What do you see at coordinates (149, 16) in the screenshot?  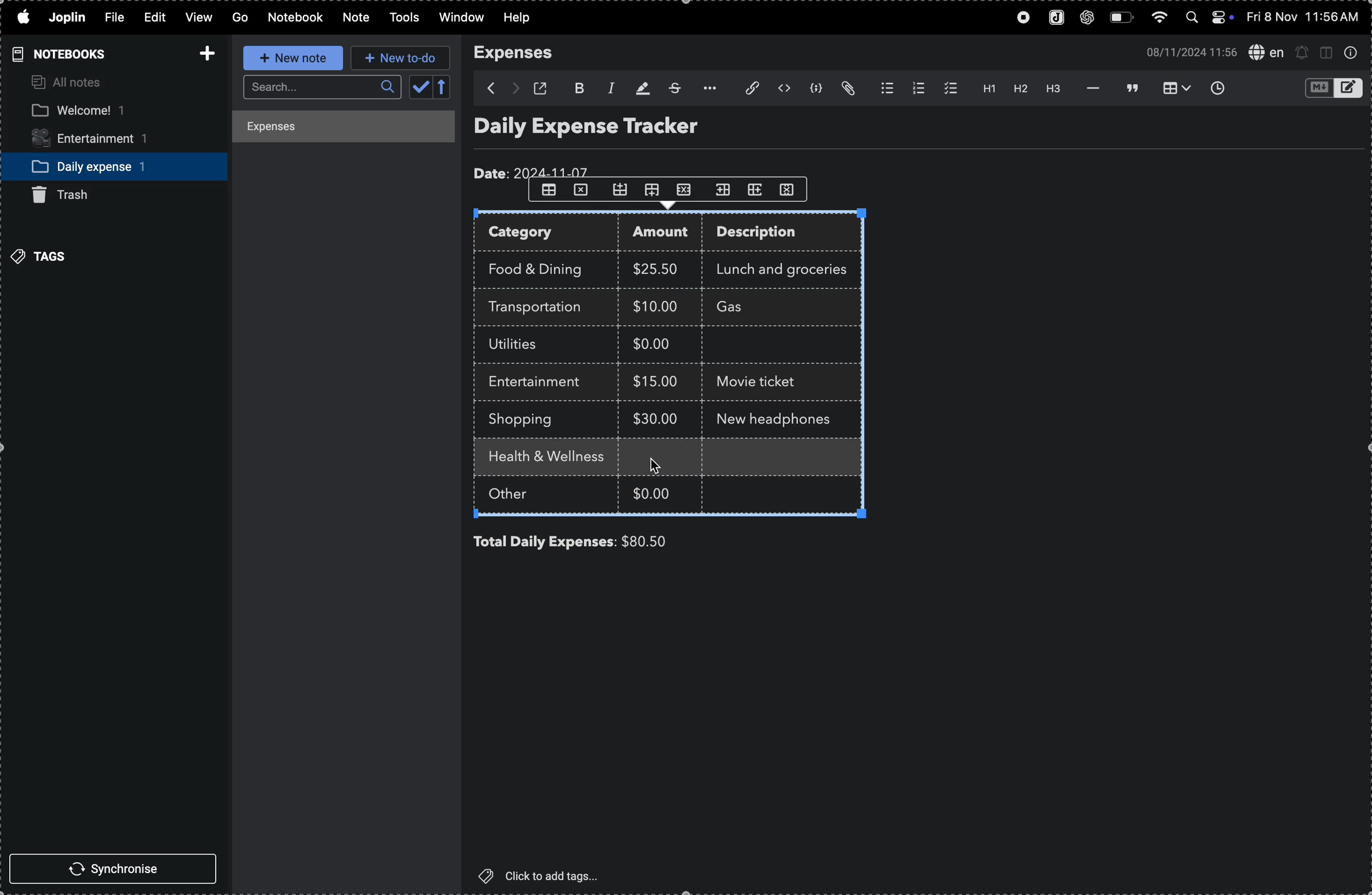 I see `edit` at bounding box center [149, 16].